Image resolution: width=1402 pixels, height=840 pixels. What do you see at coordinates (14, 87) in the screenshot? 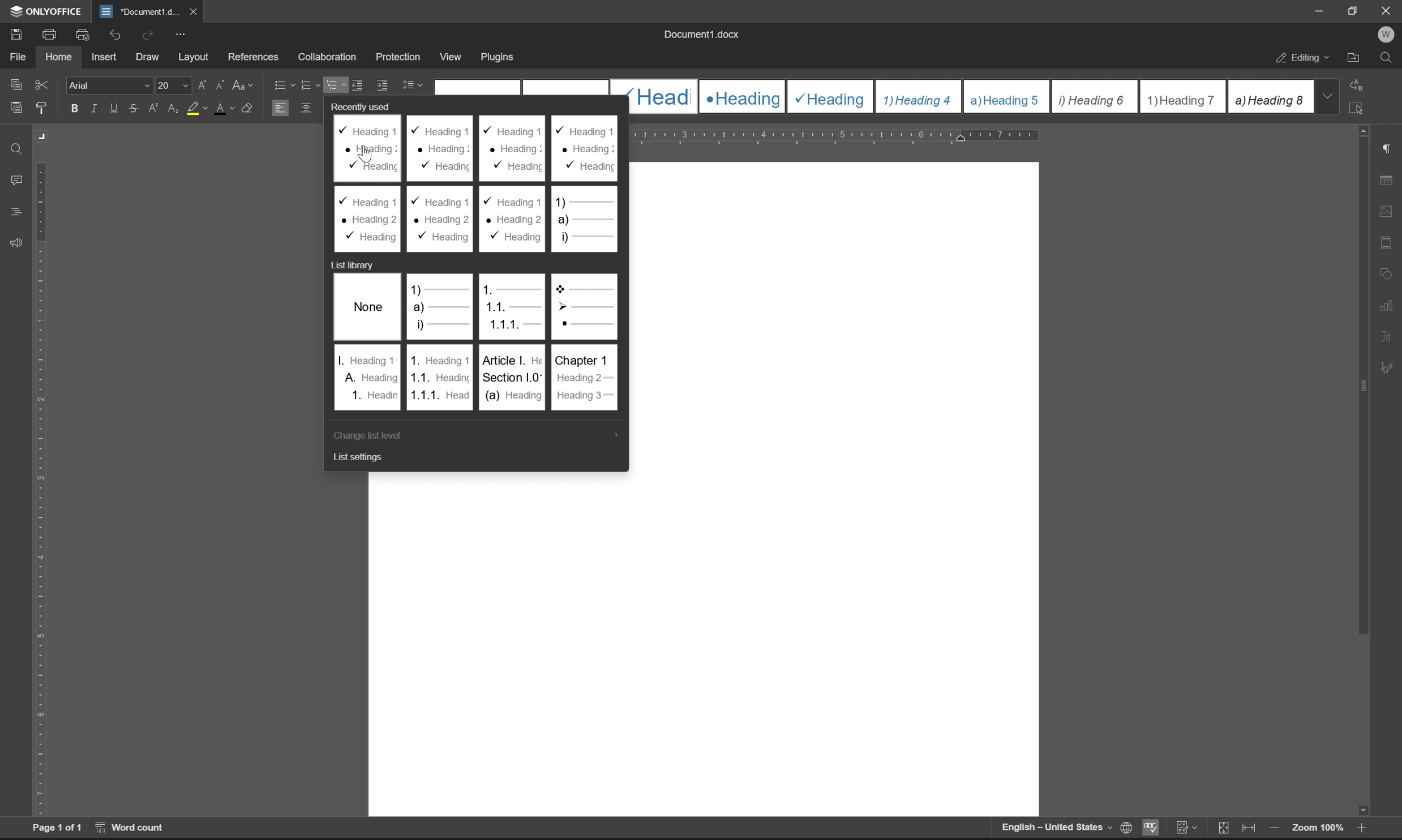
I see `caopy` at bounding box center [14, 87].